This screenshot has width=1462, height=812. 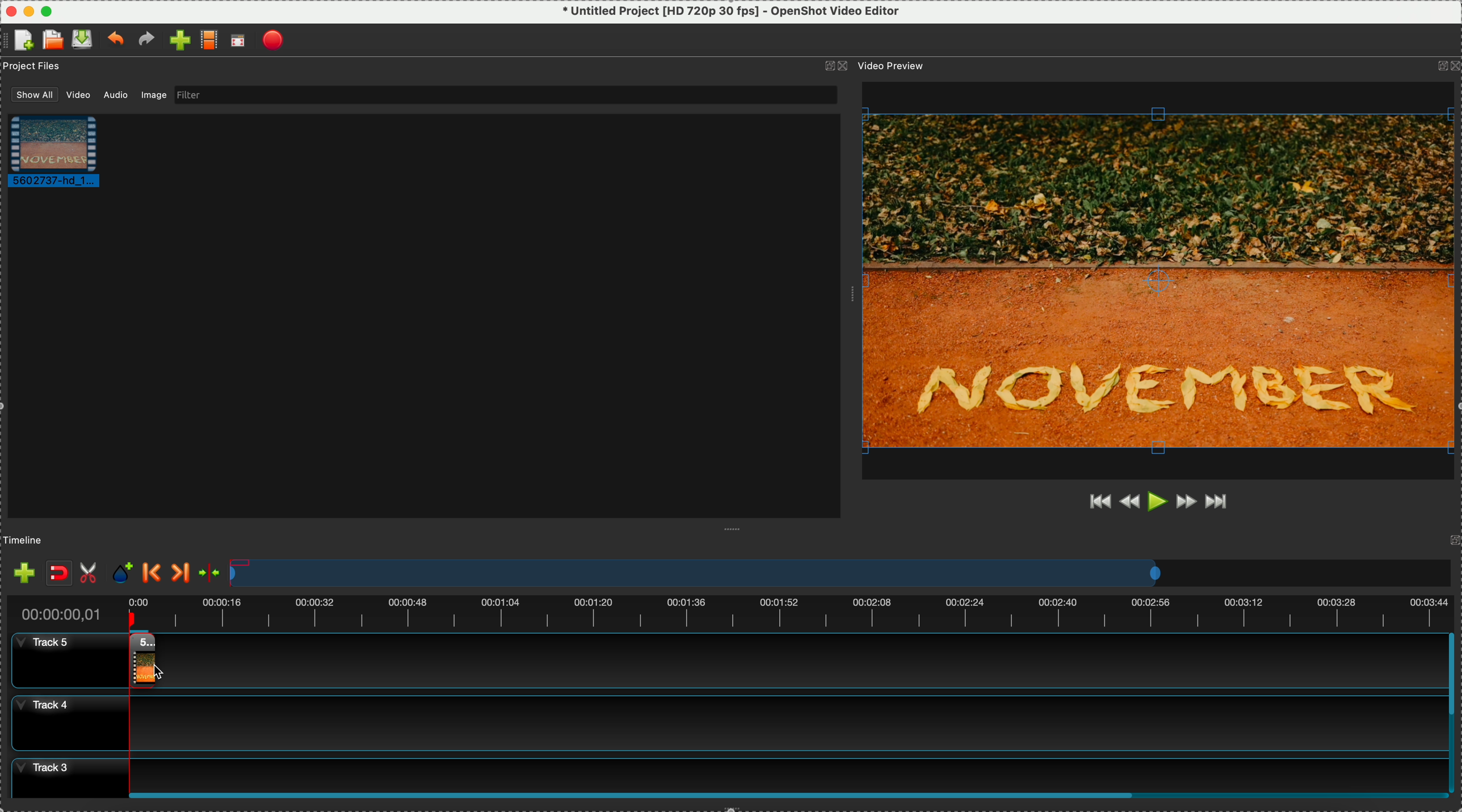 What do you see at coordinates (211, 573) in the screenshot?
I see `center the timeline on the playhead` at bounding box center [211, 573].